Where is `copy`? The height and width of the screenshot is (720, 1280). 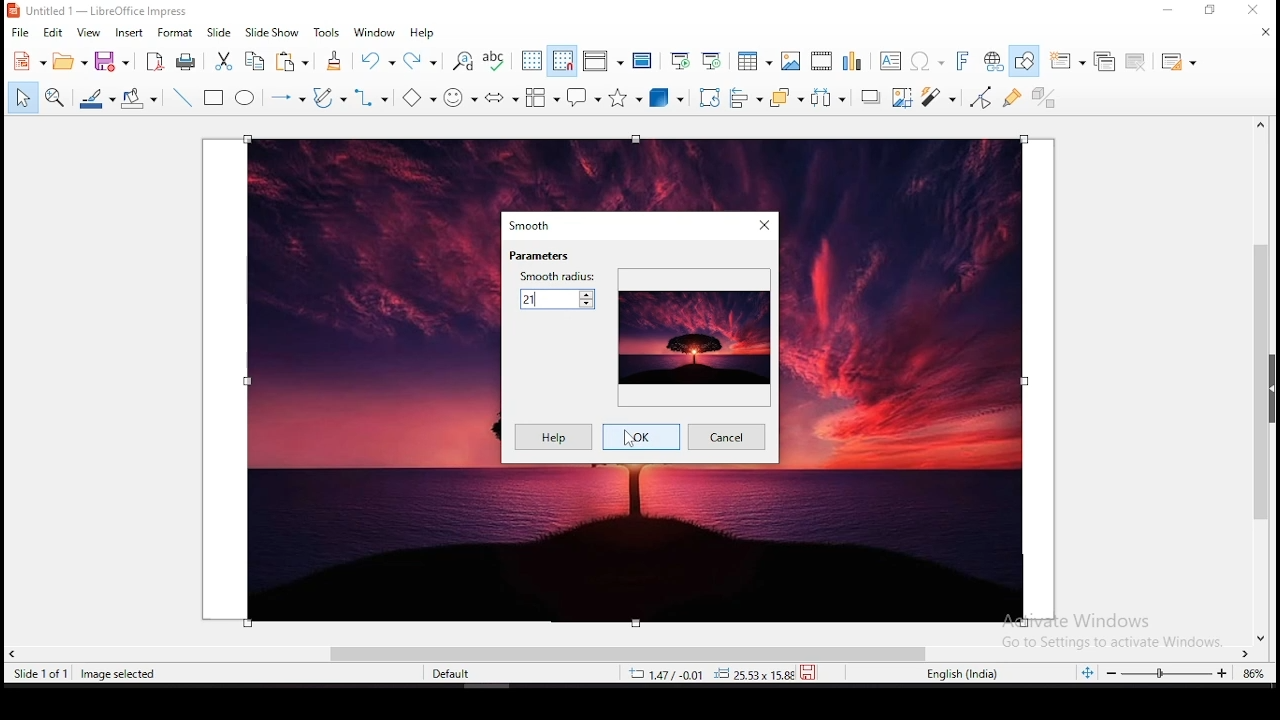 copy is located at coordinates (254, 60).